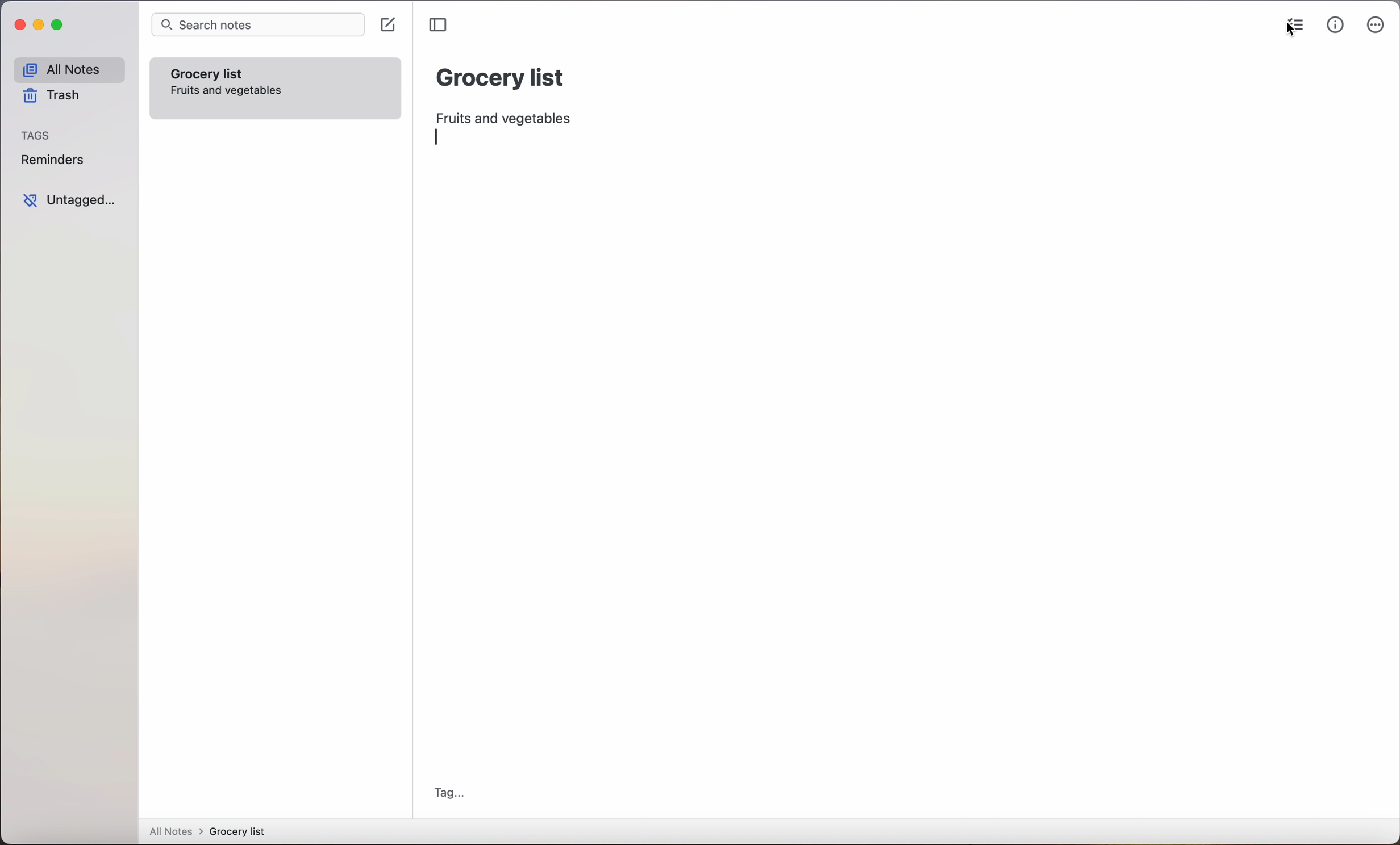  I want to click on all notes, so click(68, 70).